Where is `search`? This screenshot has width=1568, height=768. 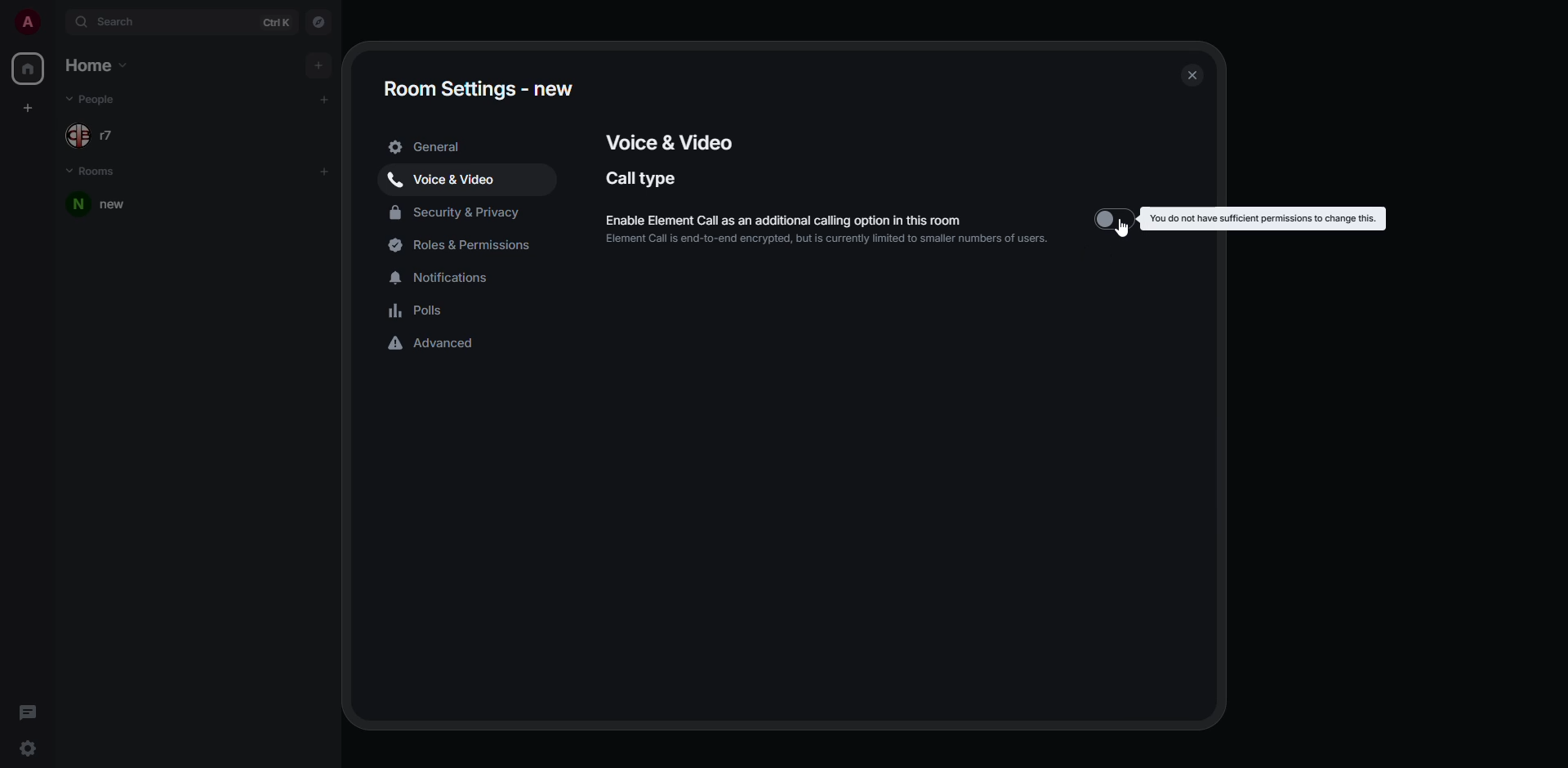 search is located at coordinates (111, 21).